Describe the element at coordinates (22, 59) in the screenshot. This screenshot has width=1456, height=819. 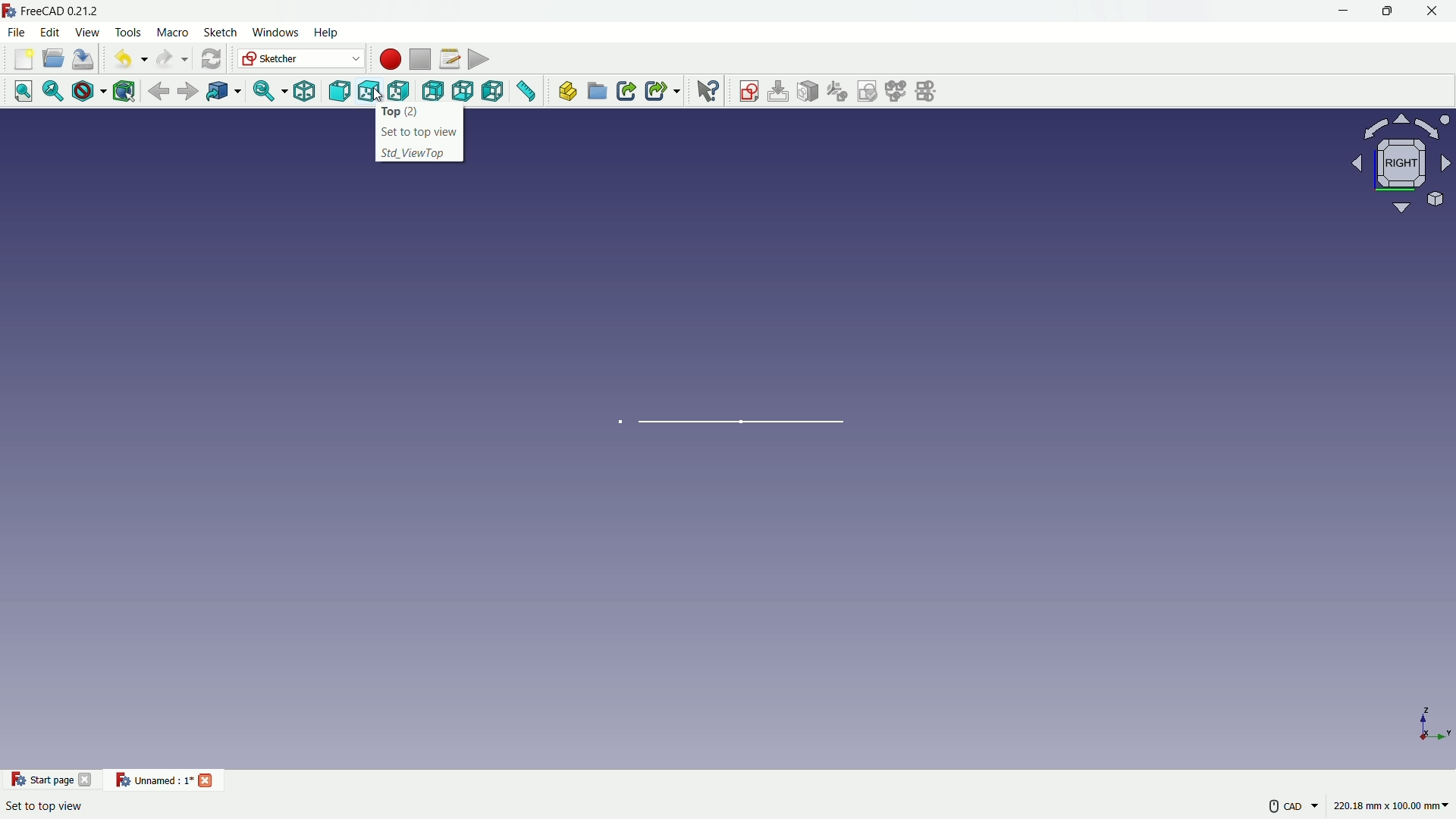
I see `open file` at that location.